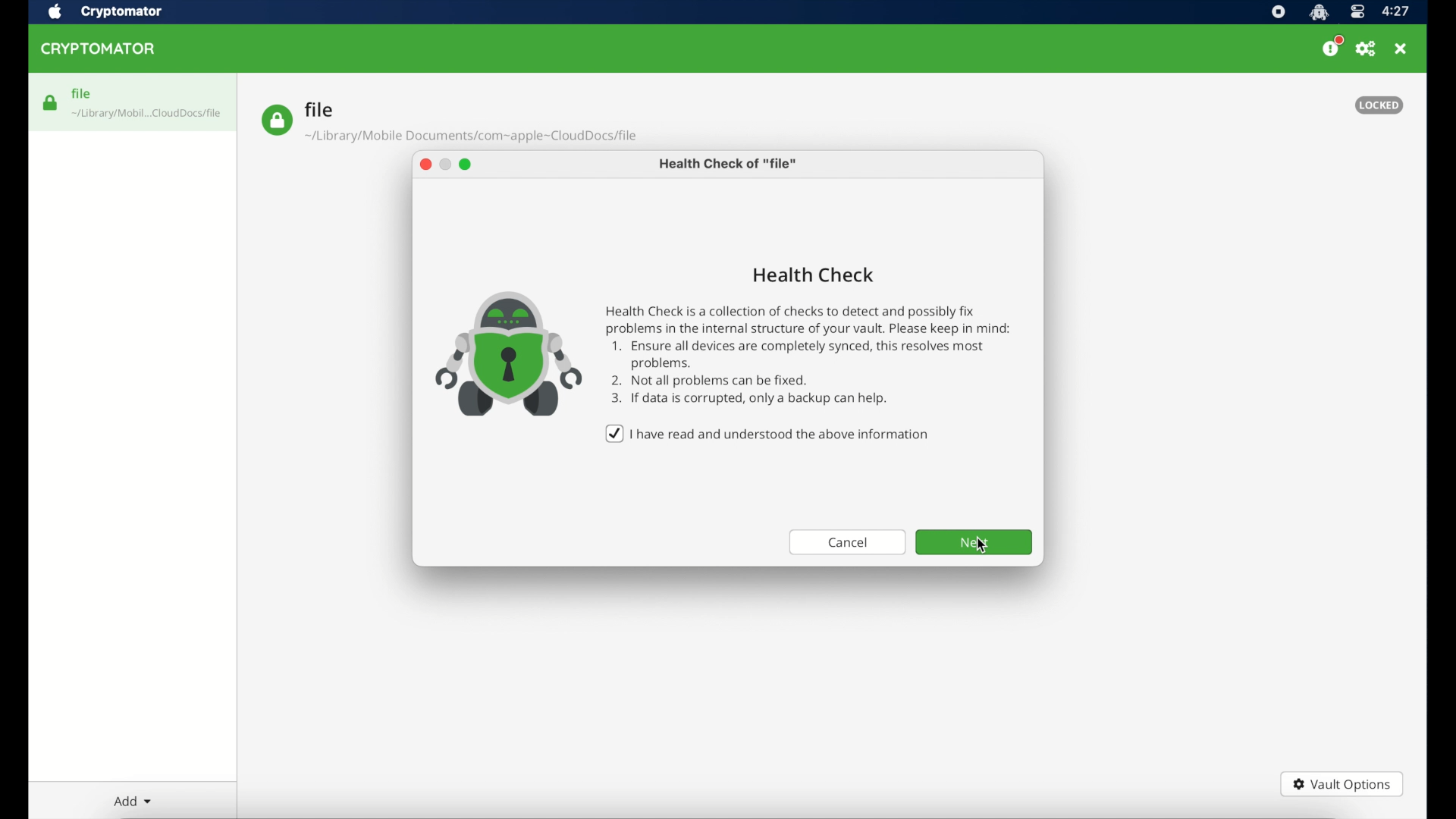 This screenshot has height=819, width=1456. I want to click on preferences, so click(1367, 49).